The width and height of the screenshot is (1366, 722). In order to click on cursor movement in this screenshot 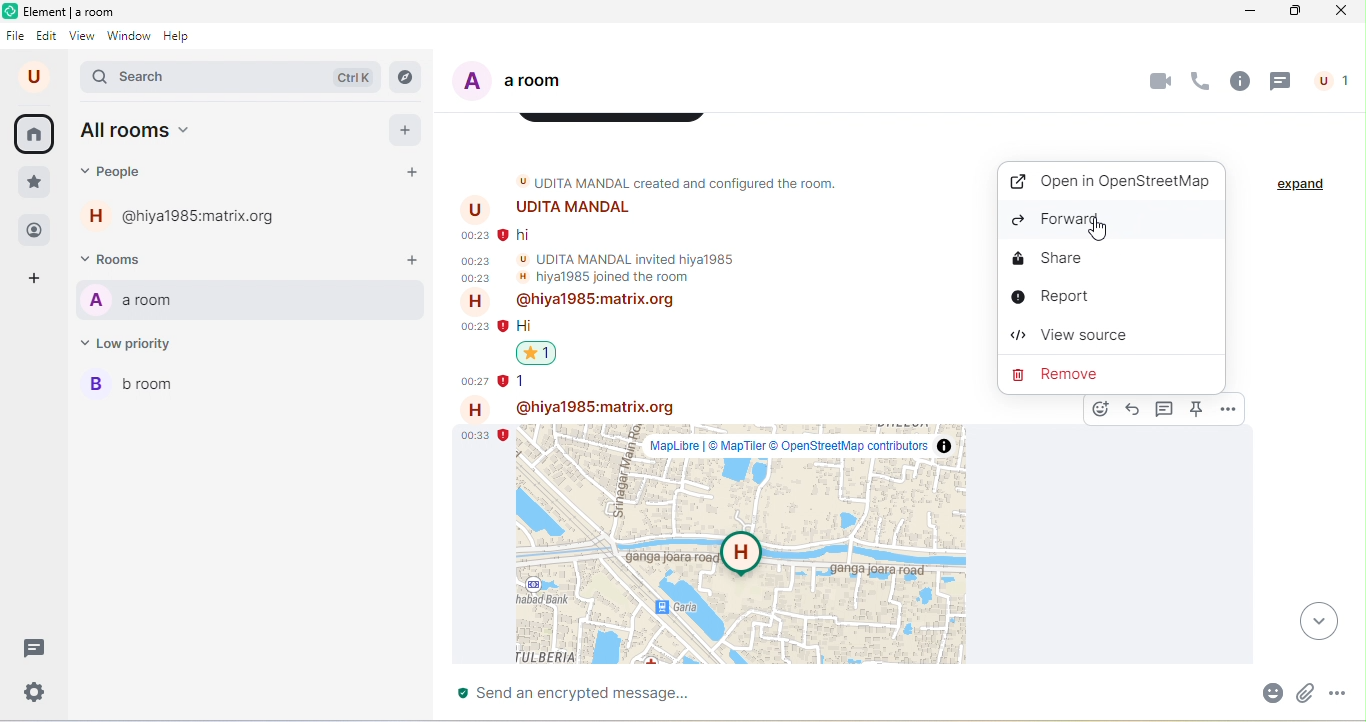, I will do `click(1098, 231)`.